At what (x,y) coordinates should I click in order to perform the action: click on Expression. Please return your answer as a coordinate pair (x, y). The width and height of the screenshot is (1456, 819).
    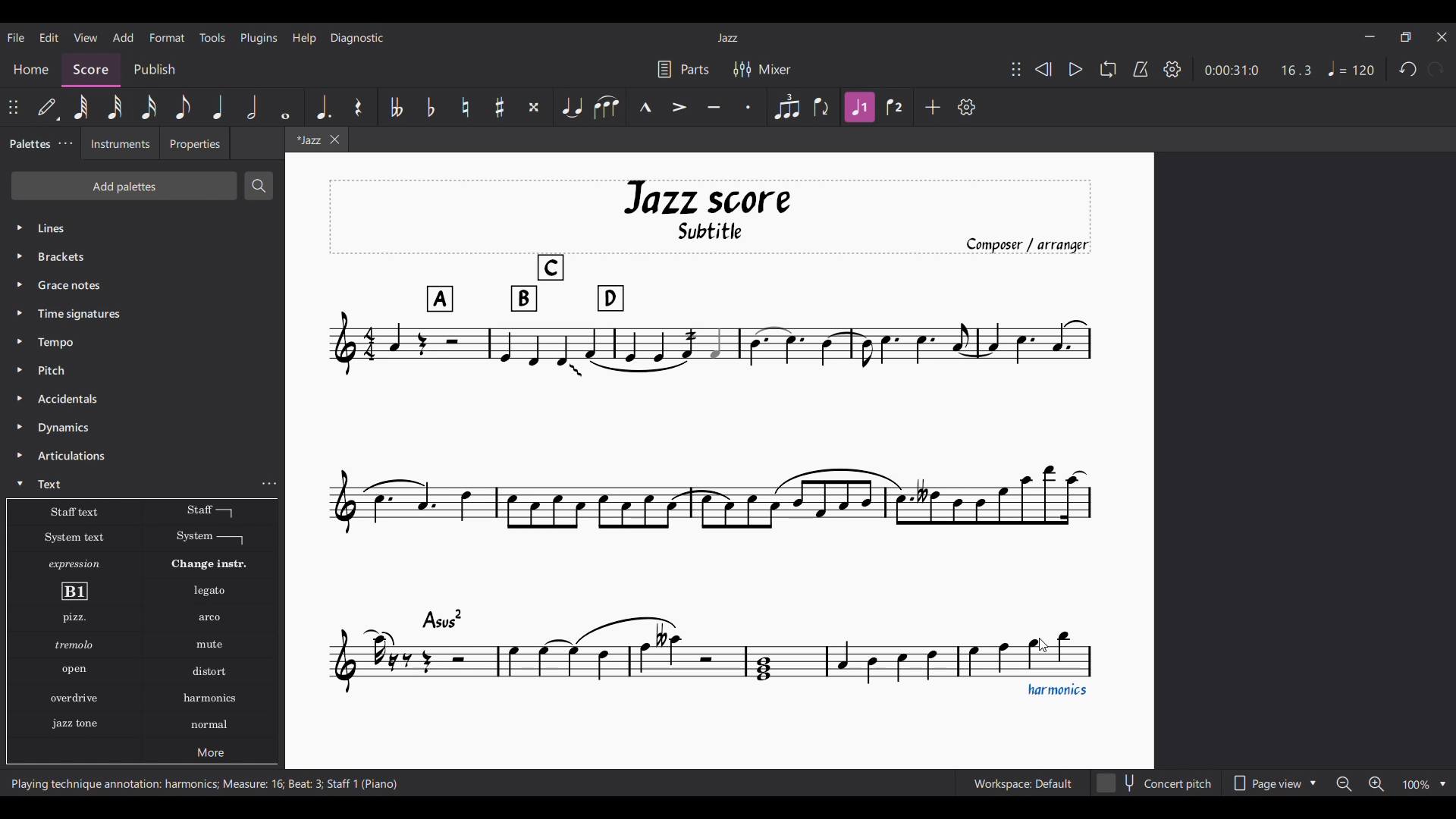
    Looking at the image, I should click on (77, 564).